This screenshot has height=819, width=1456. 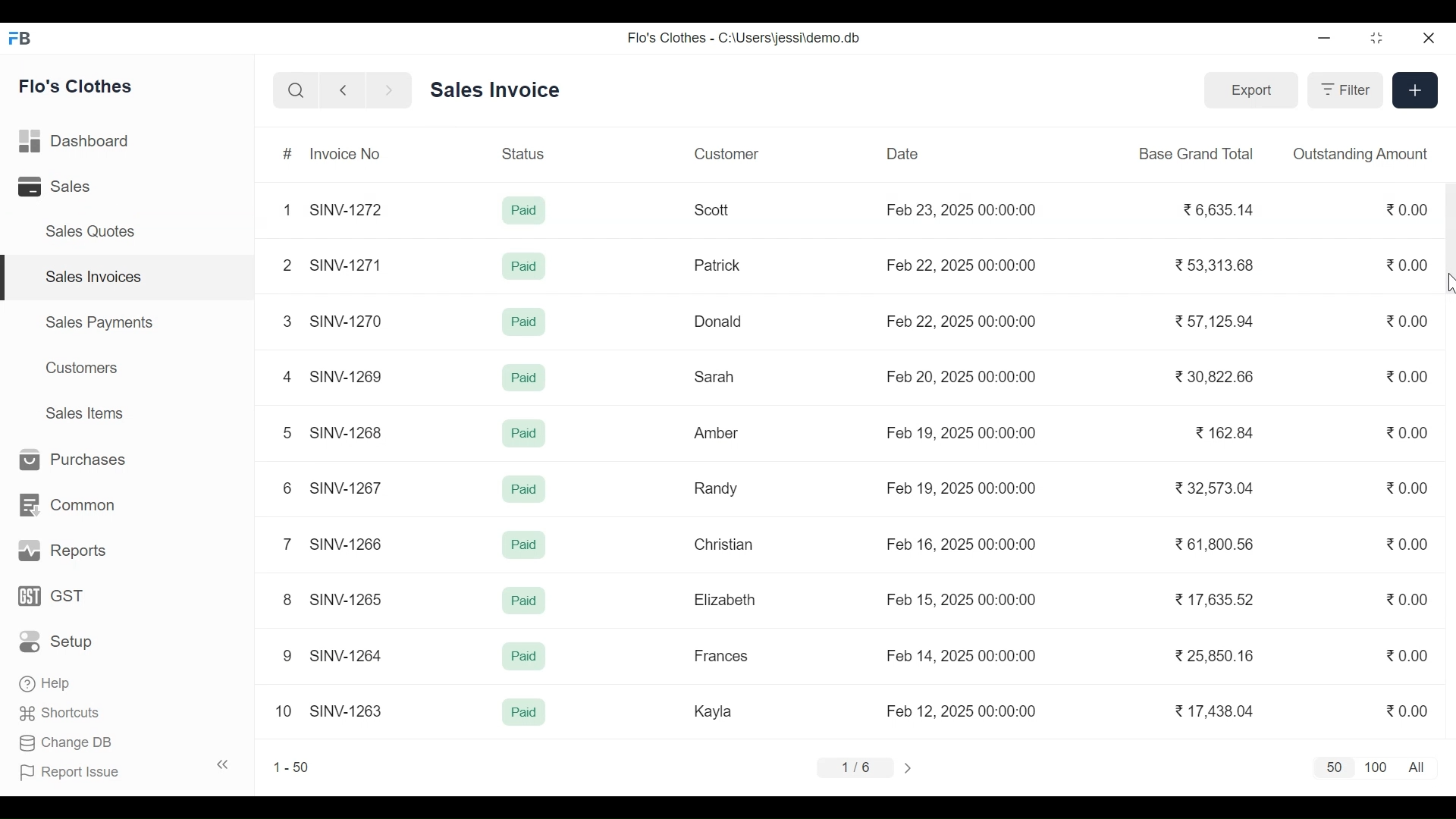 I want to click on Paid, so click(x=524, y=211).